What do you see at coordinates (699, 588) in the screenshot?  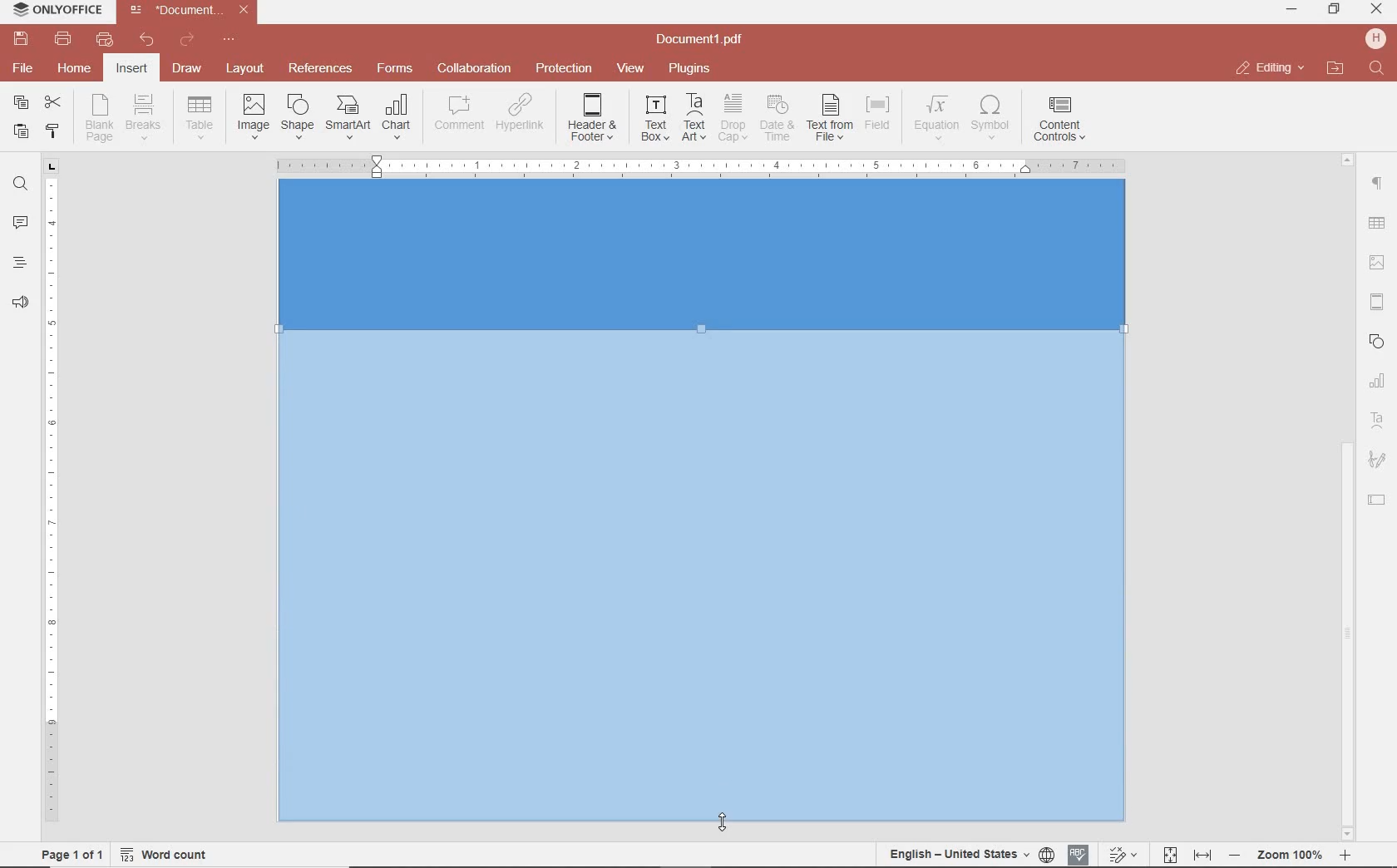 I see `DRAGGING TO EXPAND RECTANGLE` at bounding box center [699, 588].